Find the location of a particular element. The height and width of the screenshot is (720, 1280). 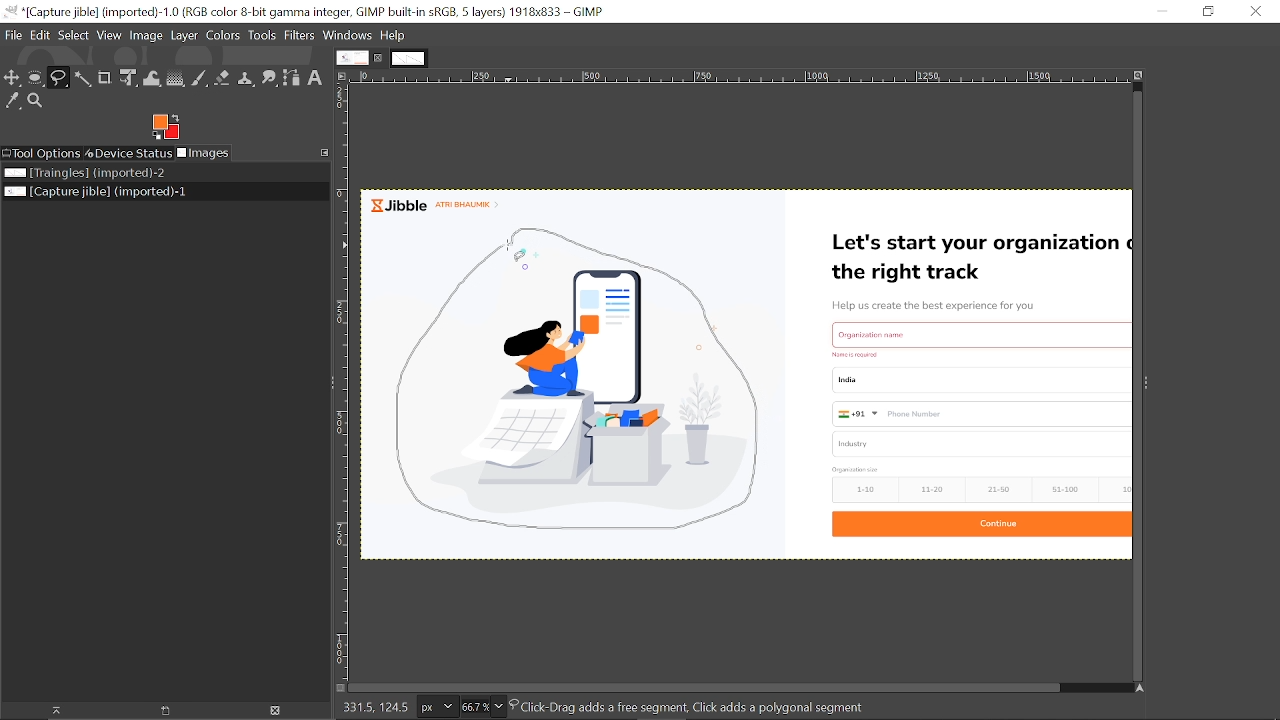

View is located at coordinates (110, 35).